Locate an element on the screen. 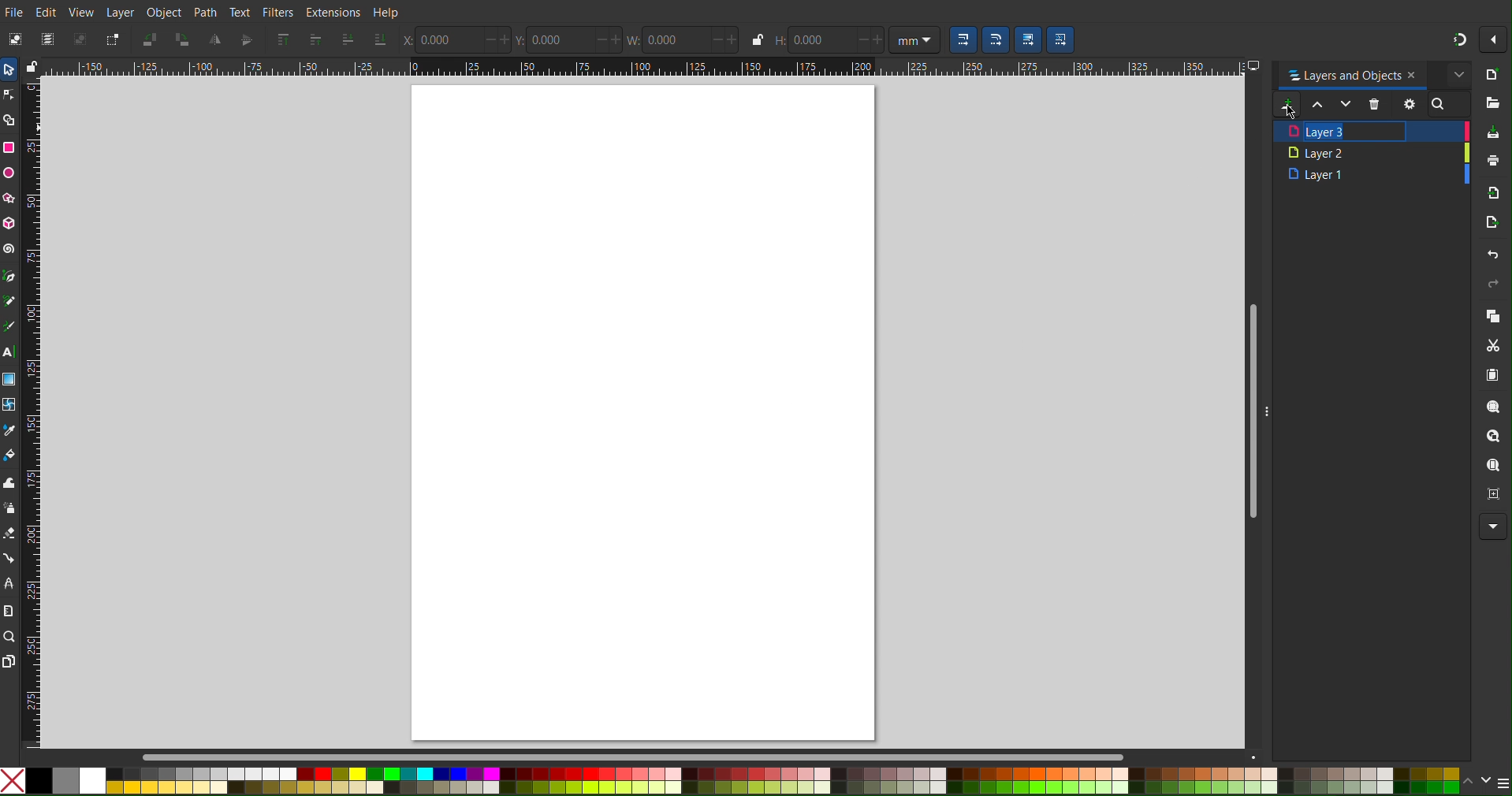  Connection is located at coordinates (13, 560).